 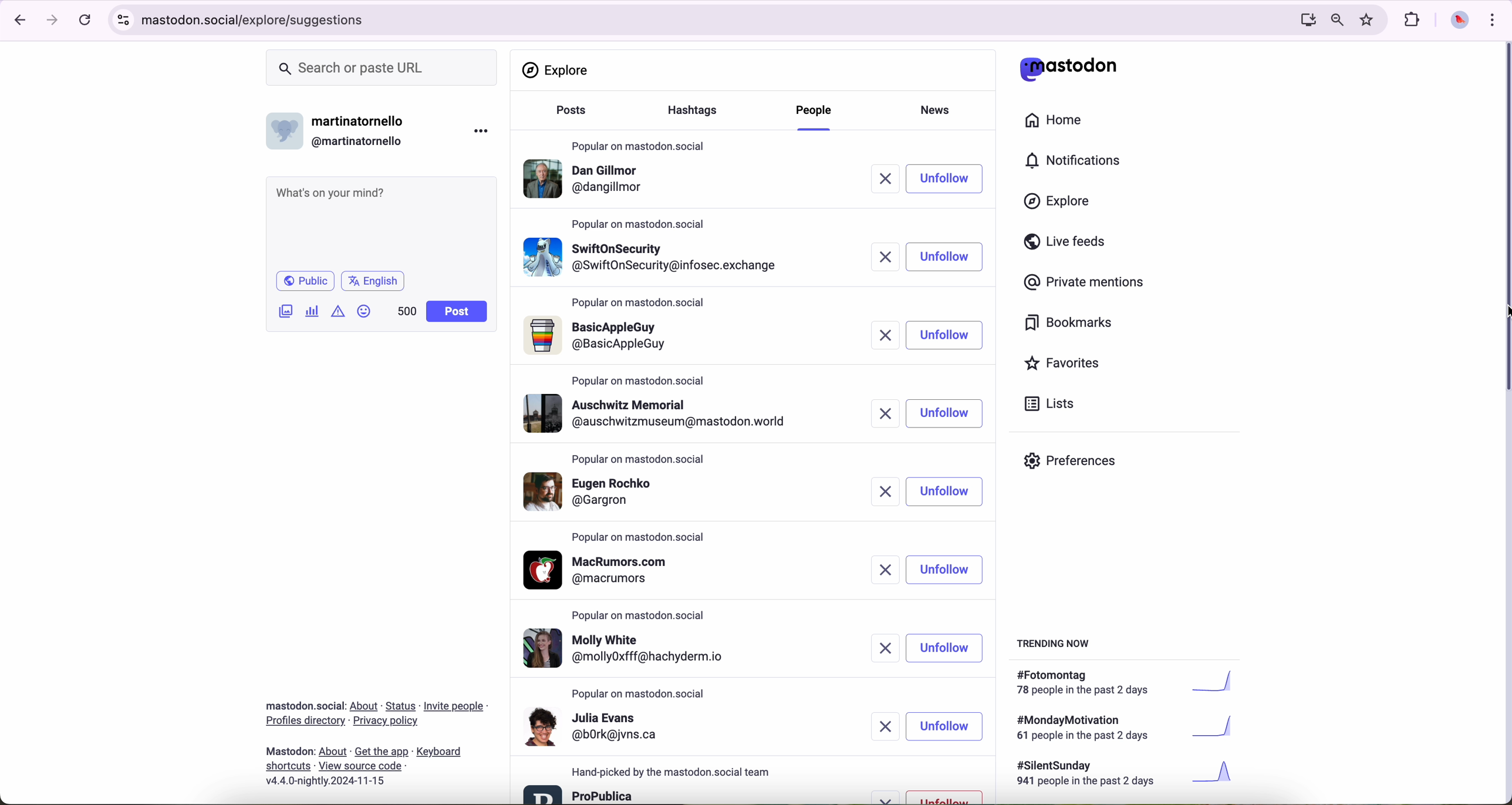 What do you see at coordinates (558, 70) in the screenshot?
I see `explore section` at bounding box center [558, 70].